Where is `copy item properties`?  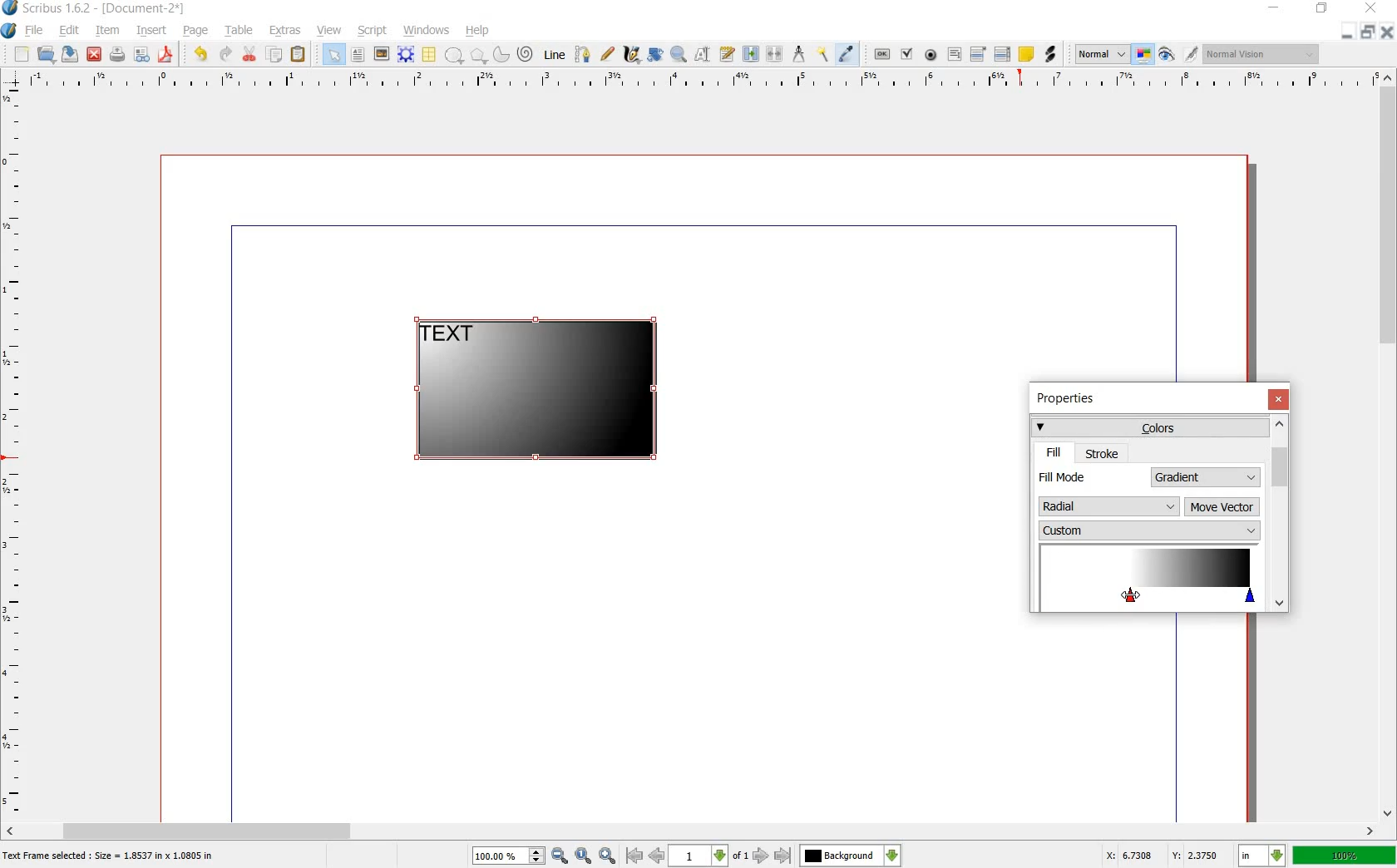
copy item properties is located at coordinates (824, 53).